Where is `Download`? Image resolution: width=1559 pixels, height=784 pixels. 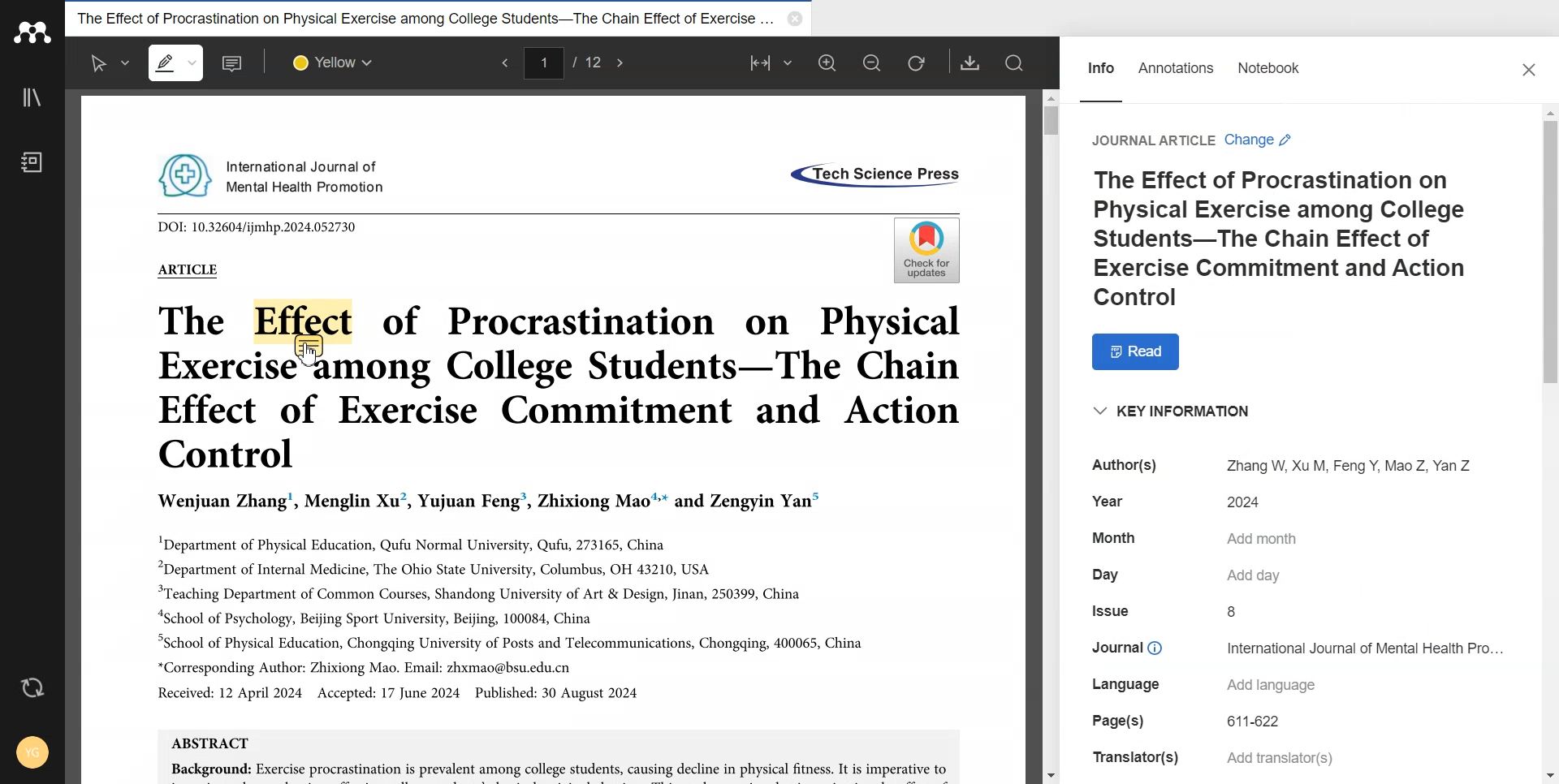
Download is located at coordinates (971, 62).